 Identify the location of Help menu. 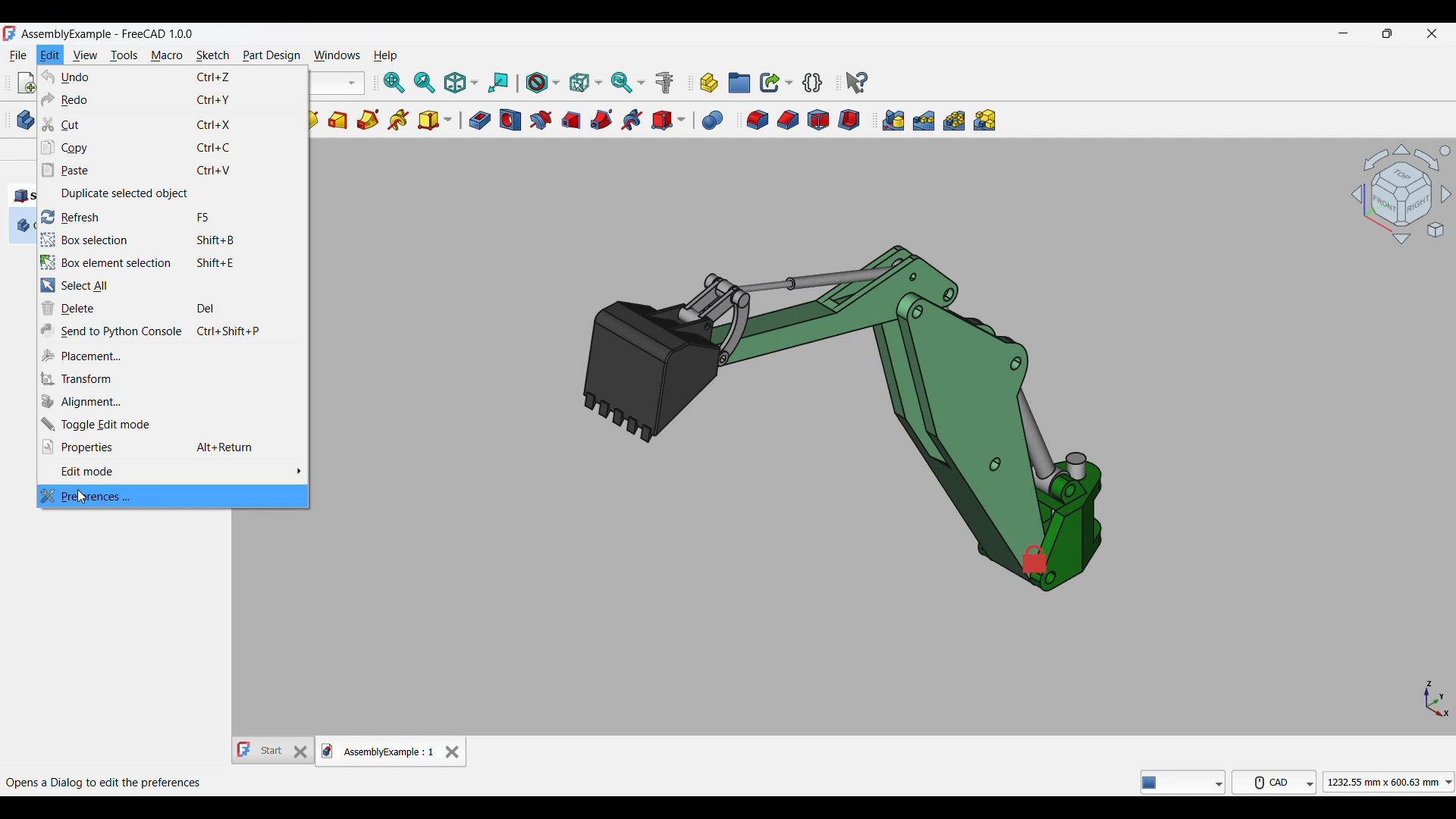
(385, 56).